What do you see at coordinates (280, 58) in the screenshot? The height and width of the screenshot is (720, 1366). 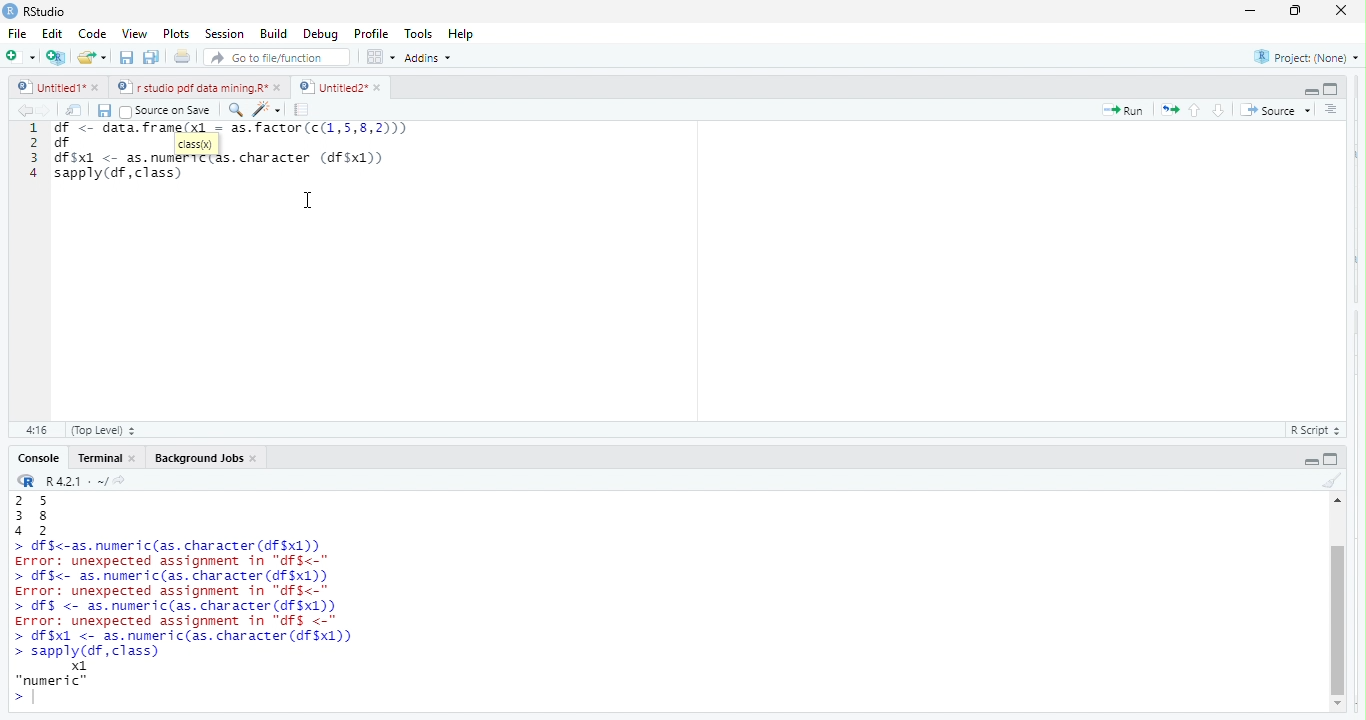 I see ` Goto fileffunction ` at bounding box center [280, 58].